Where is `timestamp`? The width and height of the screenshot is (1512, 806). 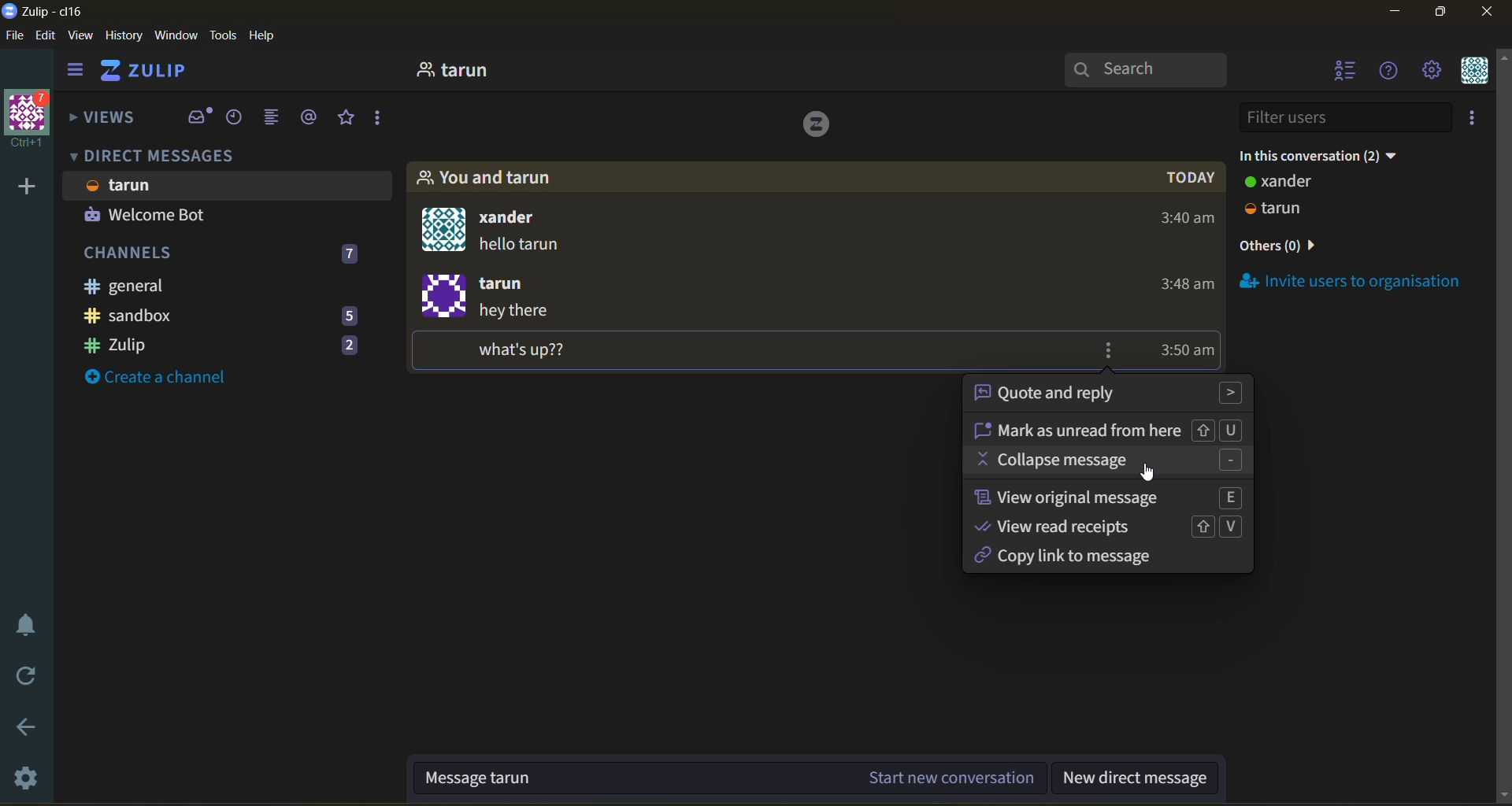 timestamp is located at coordinates (1177, 257).